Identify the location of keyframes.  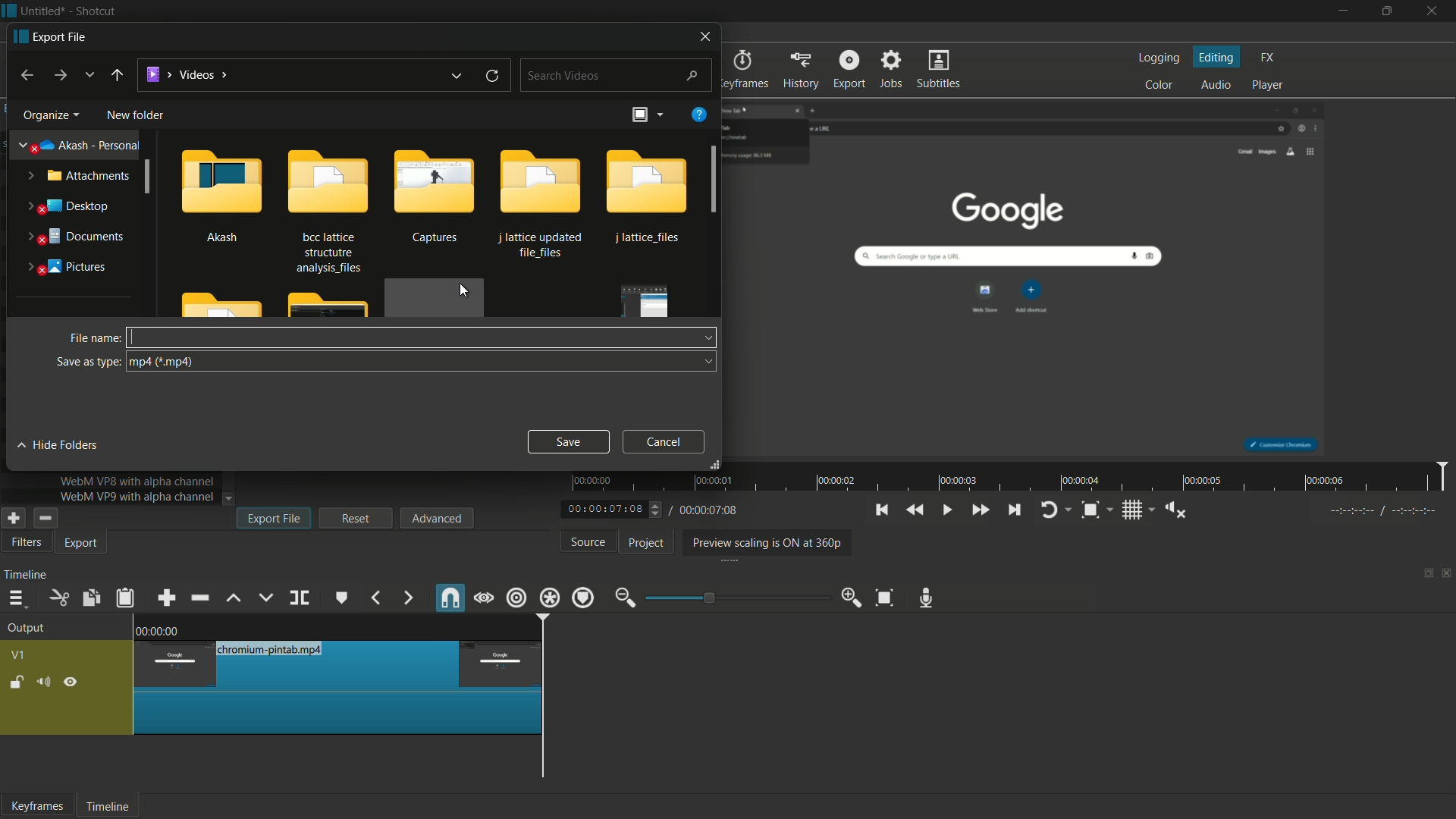
(745, 69).